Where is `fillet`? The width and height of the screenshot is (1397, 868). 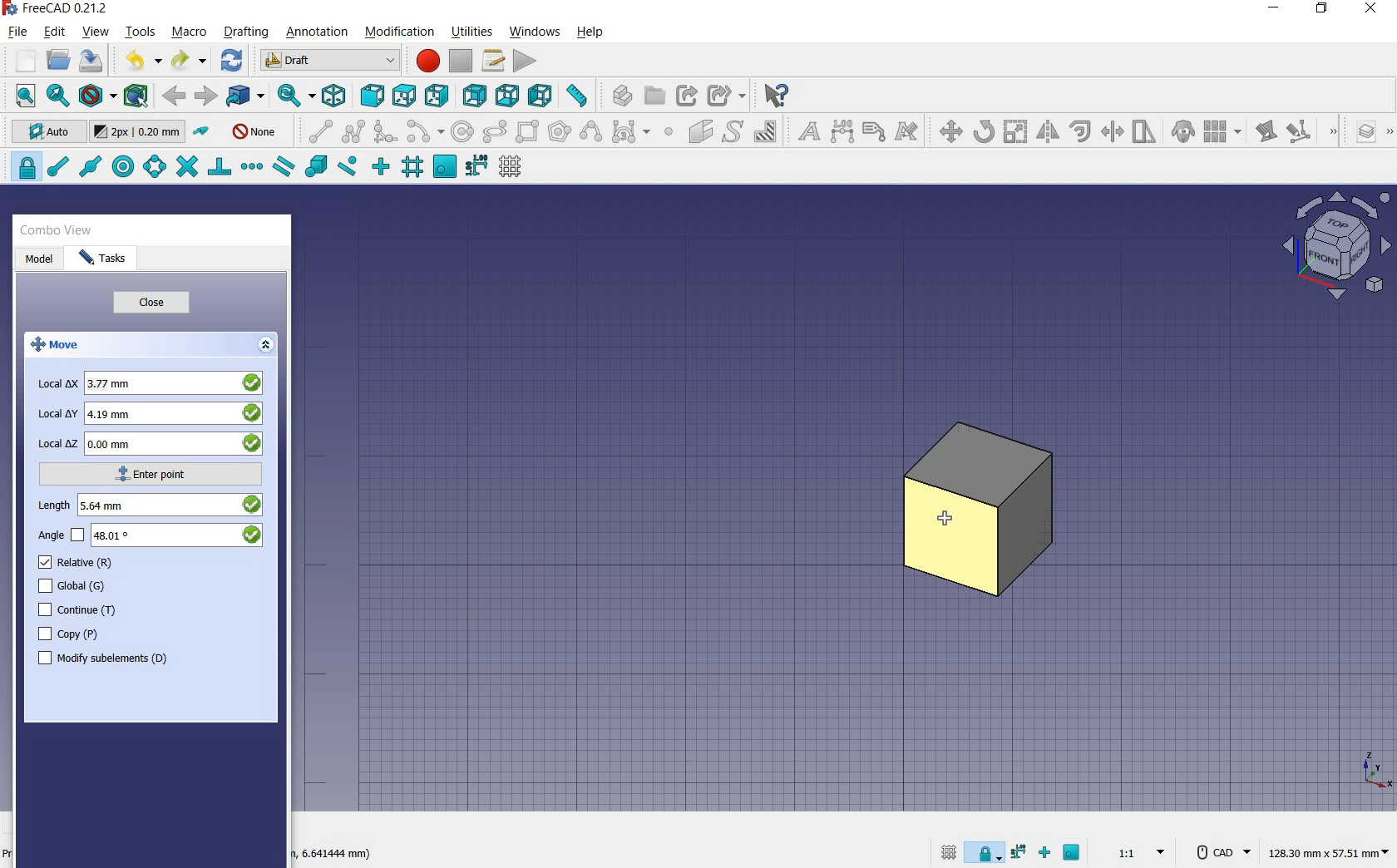 fillet is located at coordinates (384, 131).